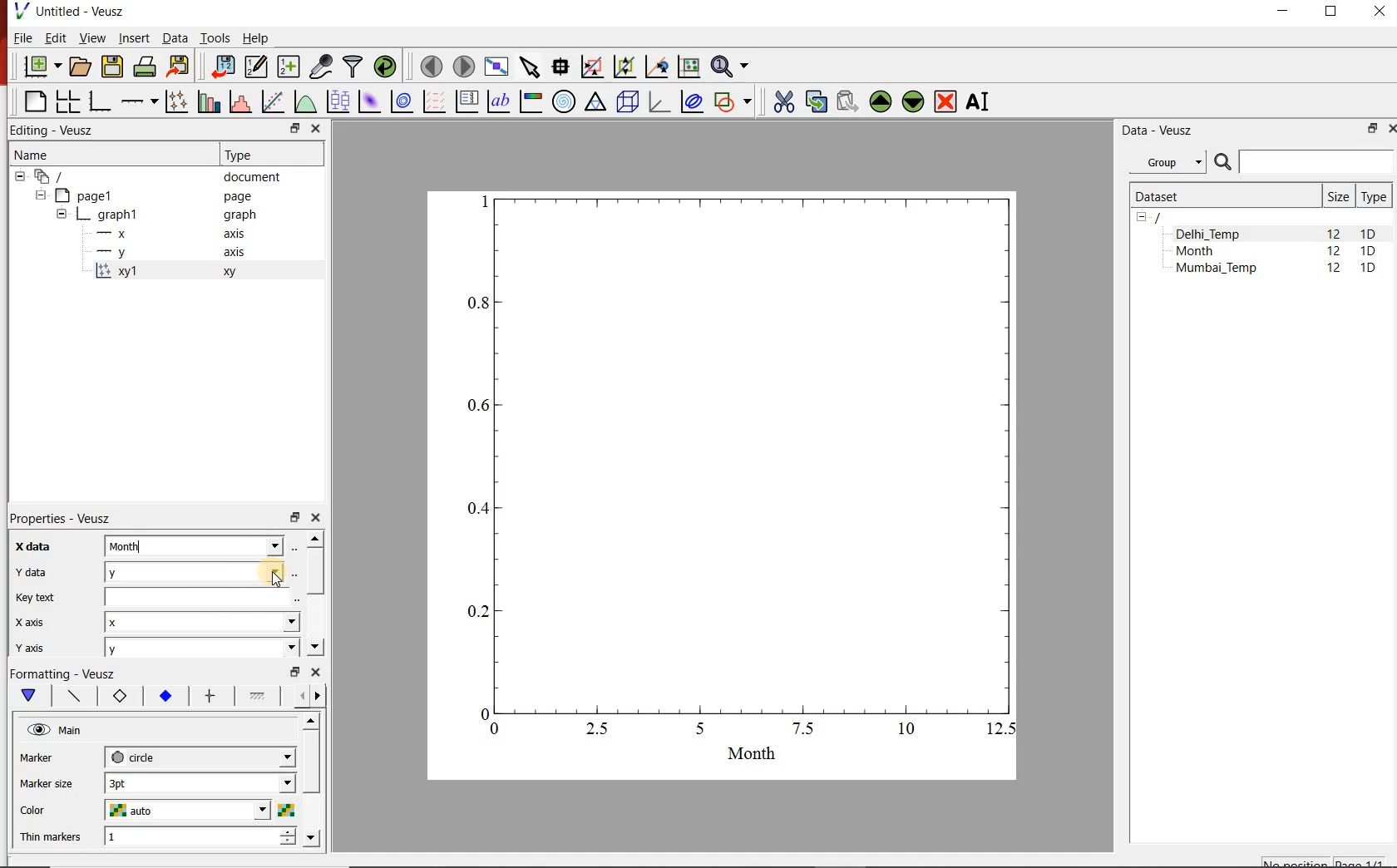  Describe the element at coordinates (116, 696) in the screenshot. I see `Axis label` at that location.